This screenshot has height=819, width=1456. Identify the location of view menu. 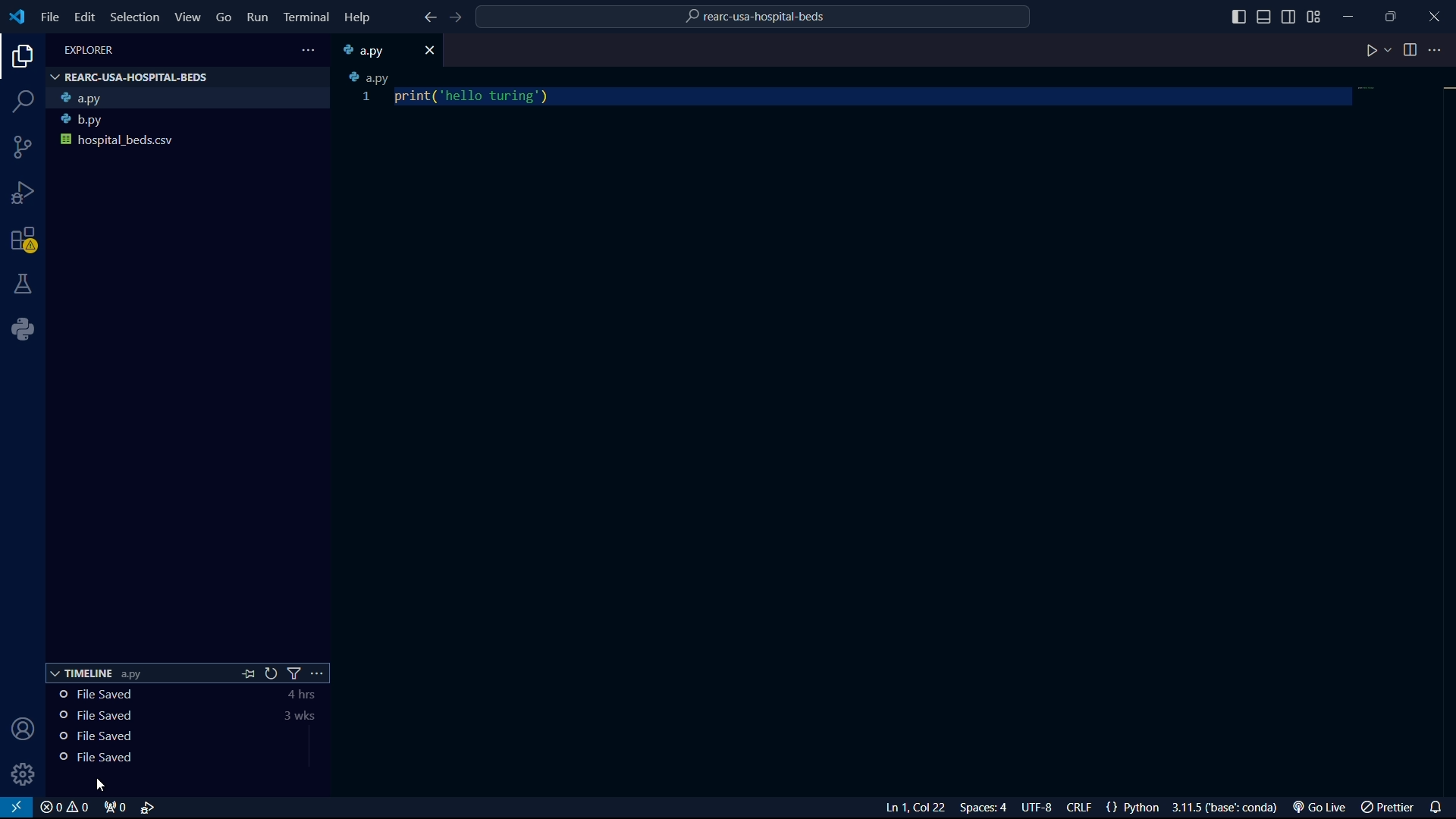
(187, 17).